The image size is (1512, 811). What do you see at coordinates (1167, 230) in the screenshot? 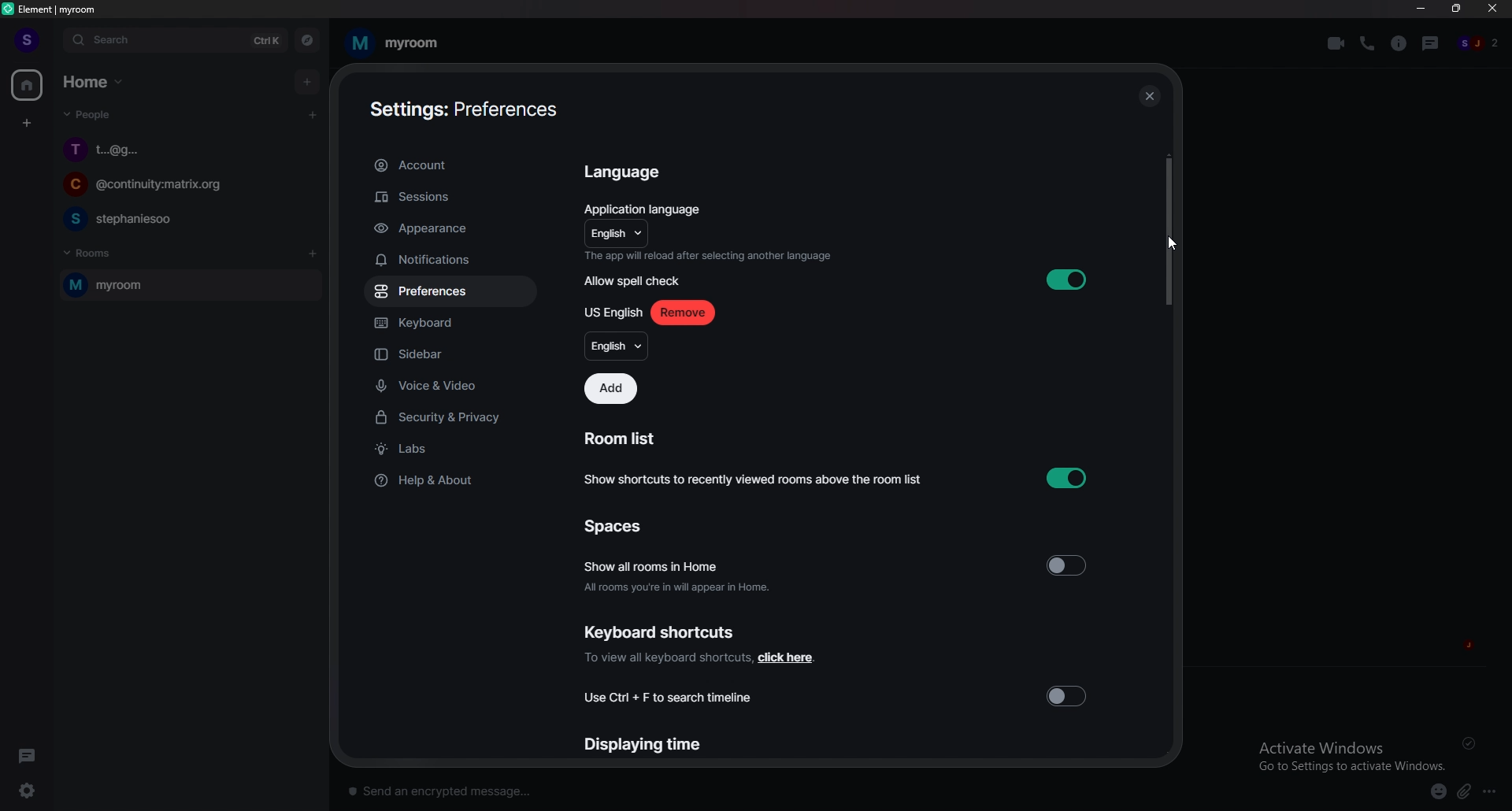
I see `scroll bar` at bounding box center [1167, 230].